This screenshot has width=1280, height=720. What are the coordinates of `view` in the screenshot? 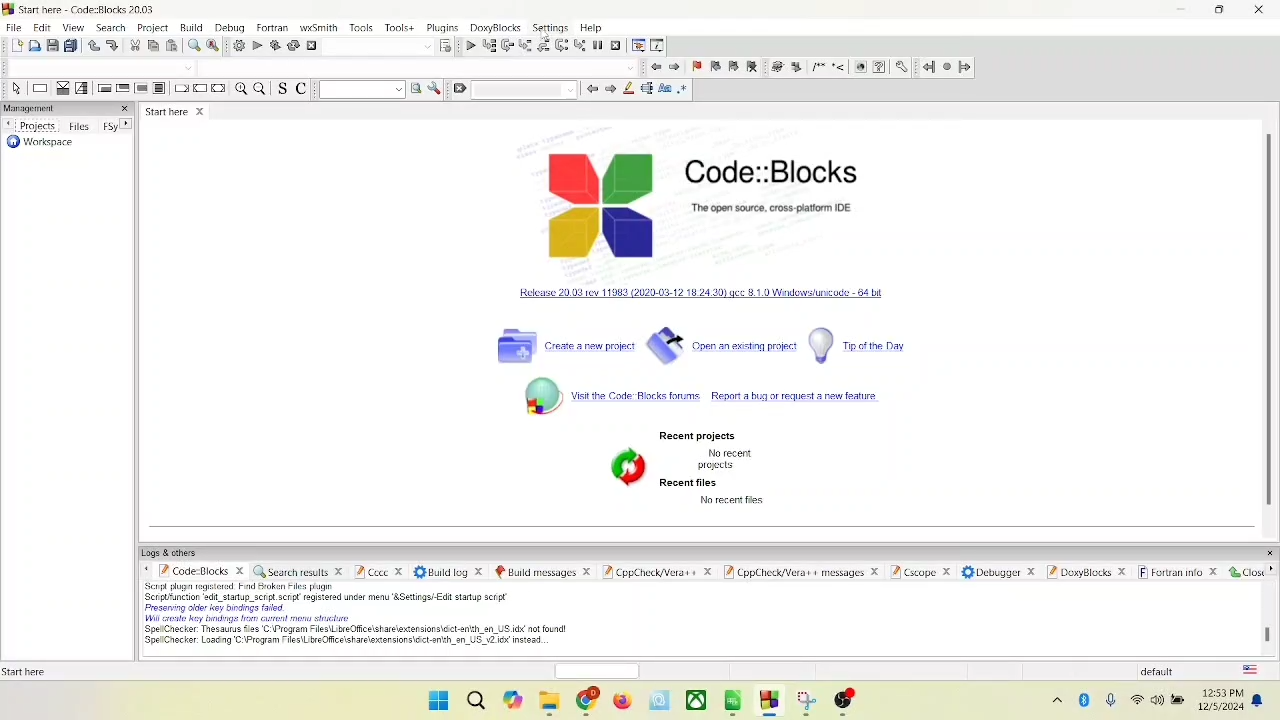 It's located at (71, 27).